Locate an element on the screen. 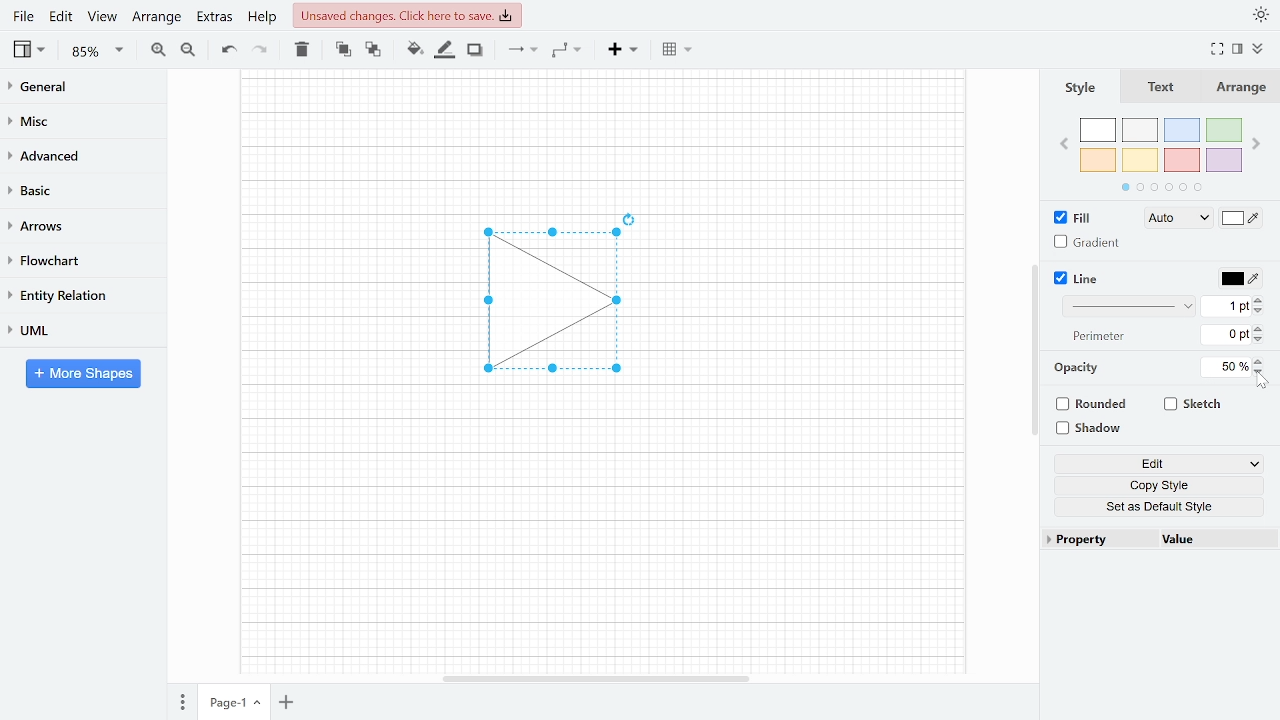 The height and width of the screenshot is (720, 1280). Arrows is located at coordinates (74, 225).